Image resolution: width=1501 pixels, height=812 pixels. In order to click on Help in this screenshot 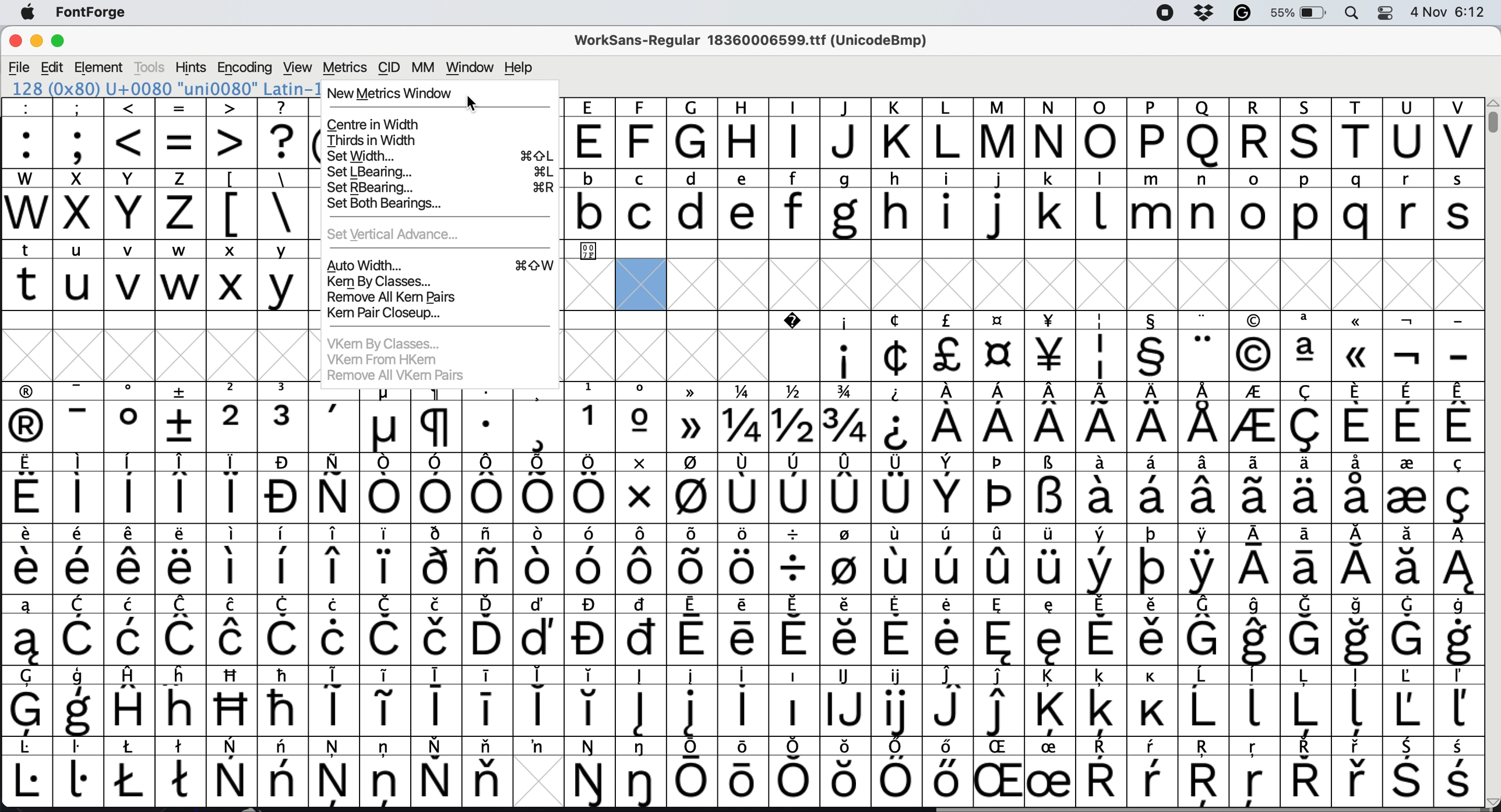, I will do `click(517, 68)`.